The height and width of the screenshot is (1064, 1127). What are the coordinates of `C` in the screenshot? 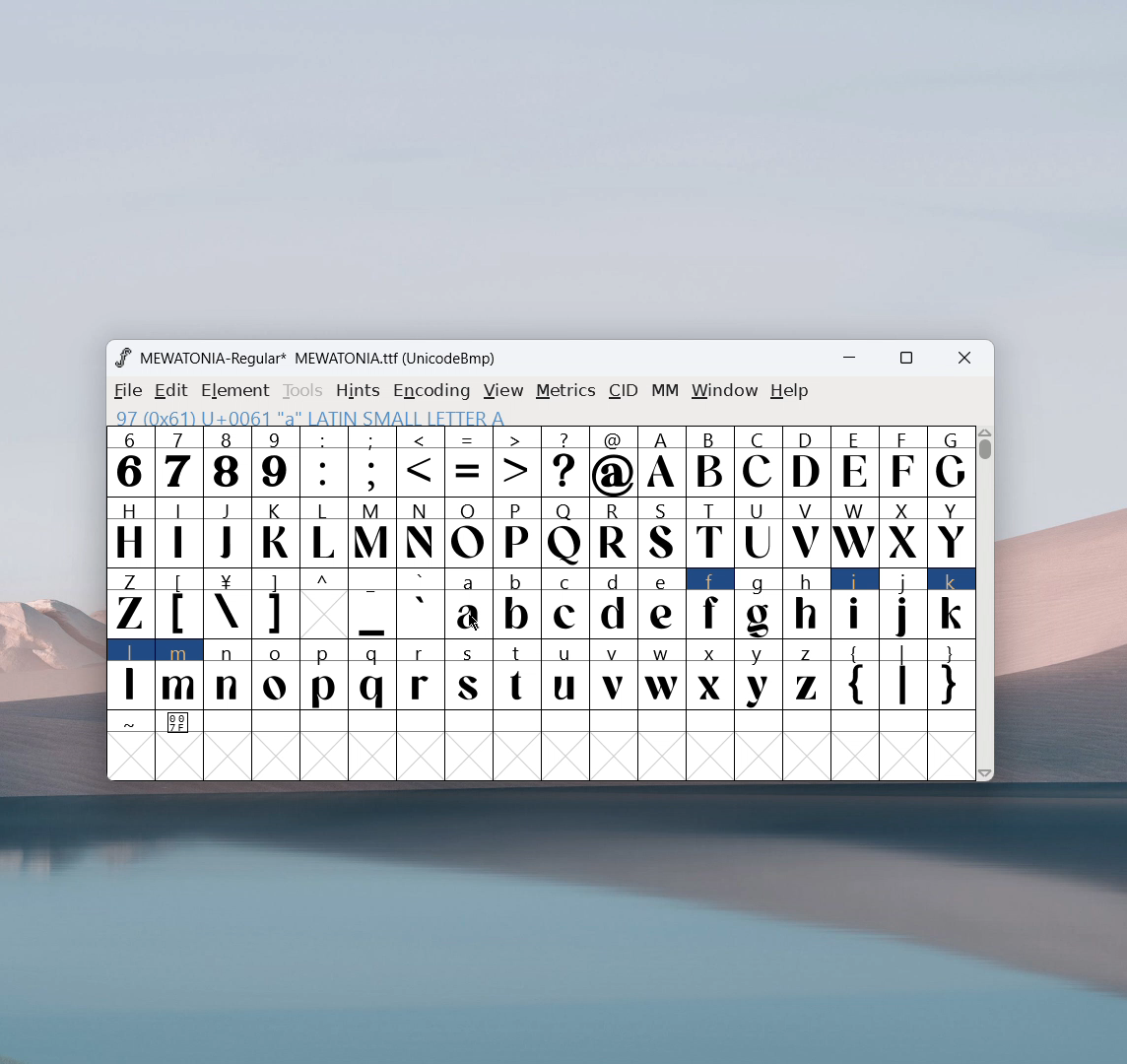 It's located at (757, 461).